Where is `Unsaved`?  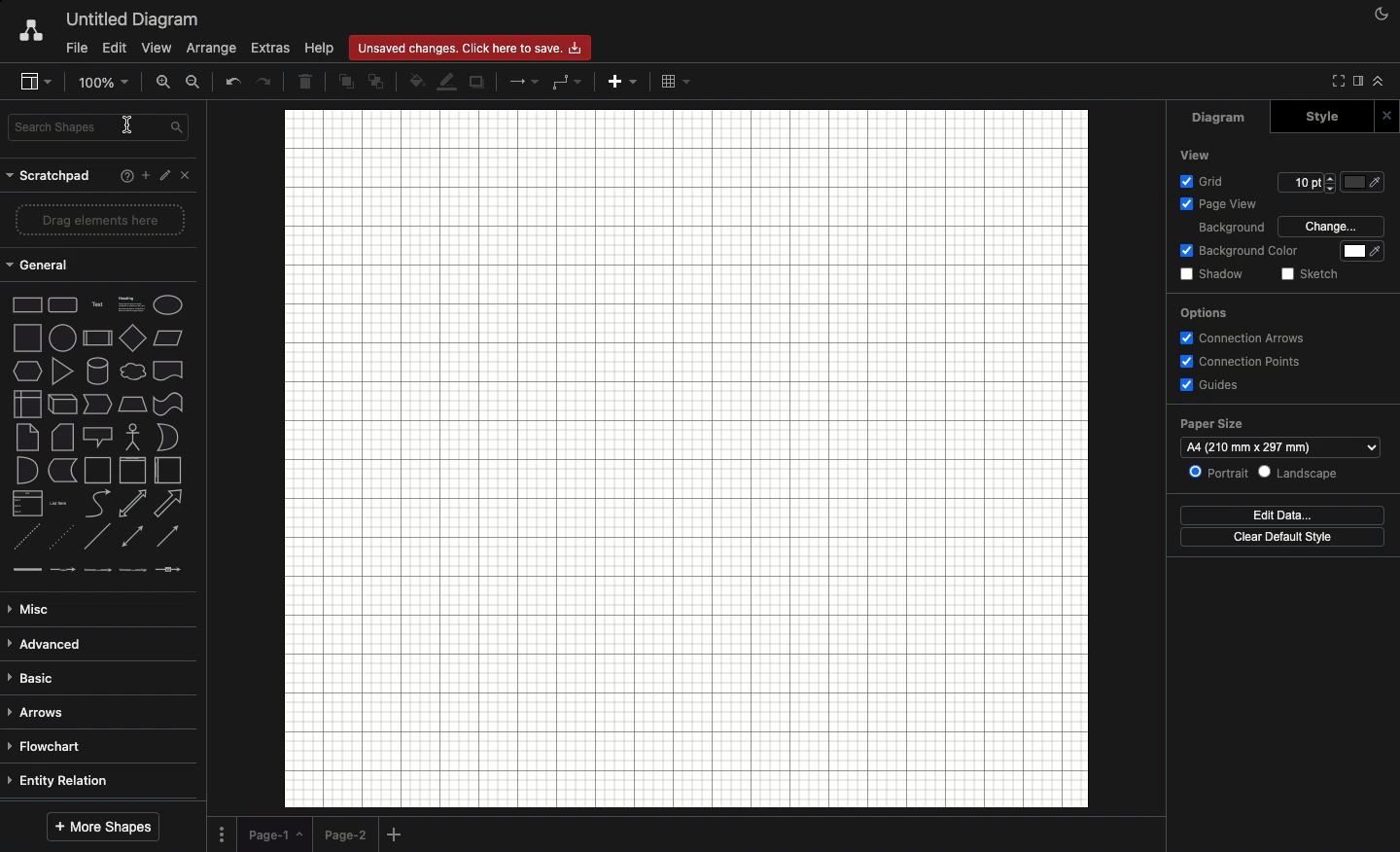 Unsaved is located at coordinates (473, 46).